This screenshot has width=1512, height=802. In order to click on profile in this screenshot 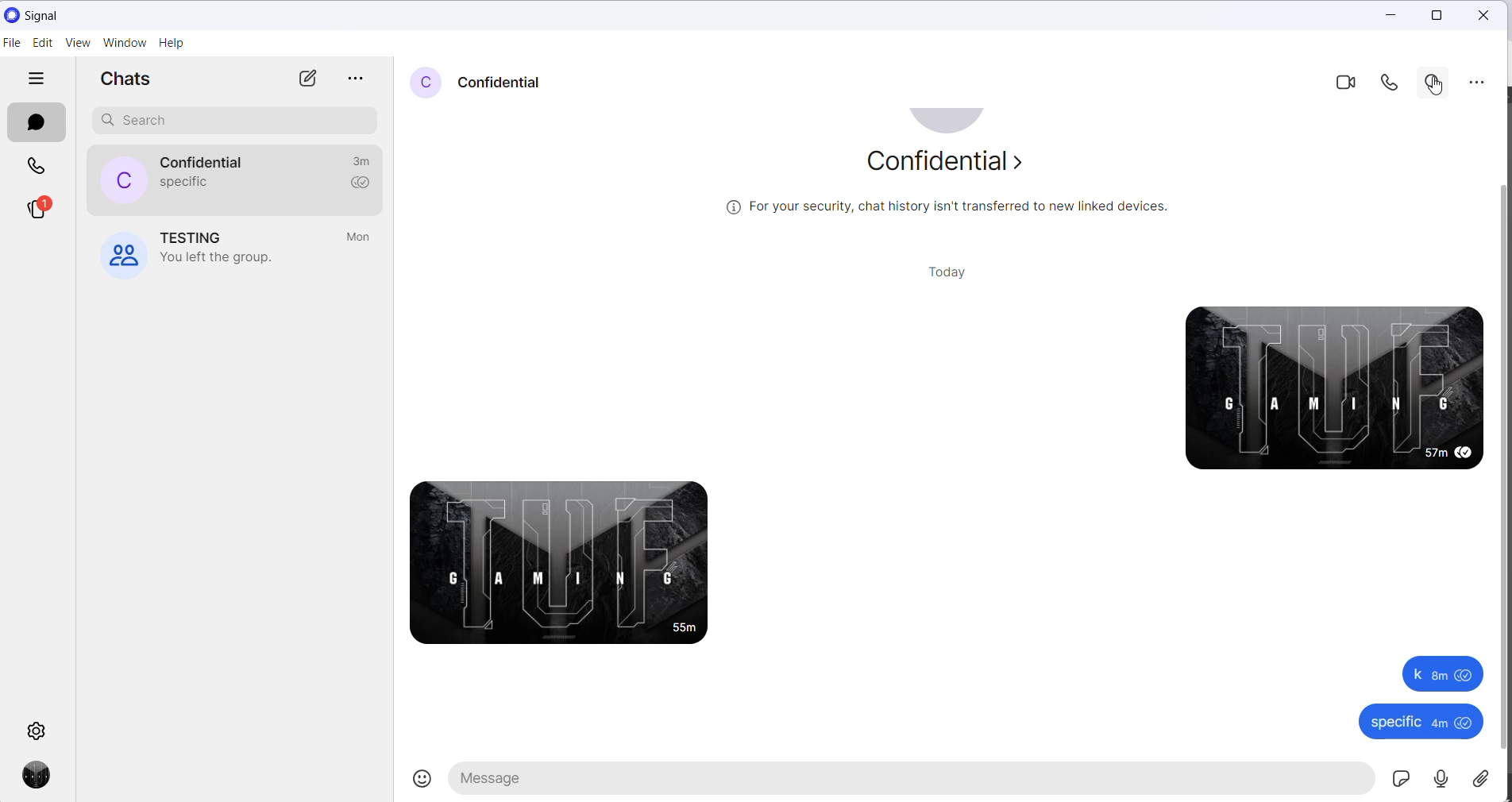, I will do `click(44, 777)`.